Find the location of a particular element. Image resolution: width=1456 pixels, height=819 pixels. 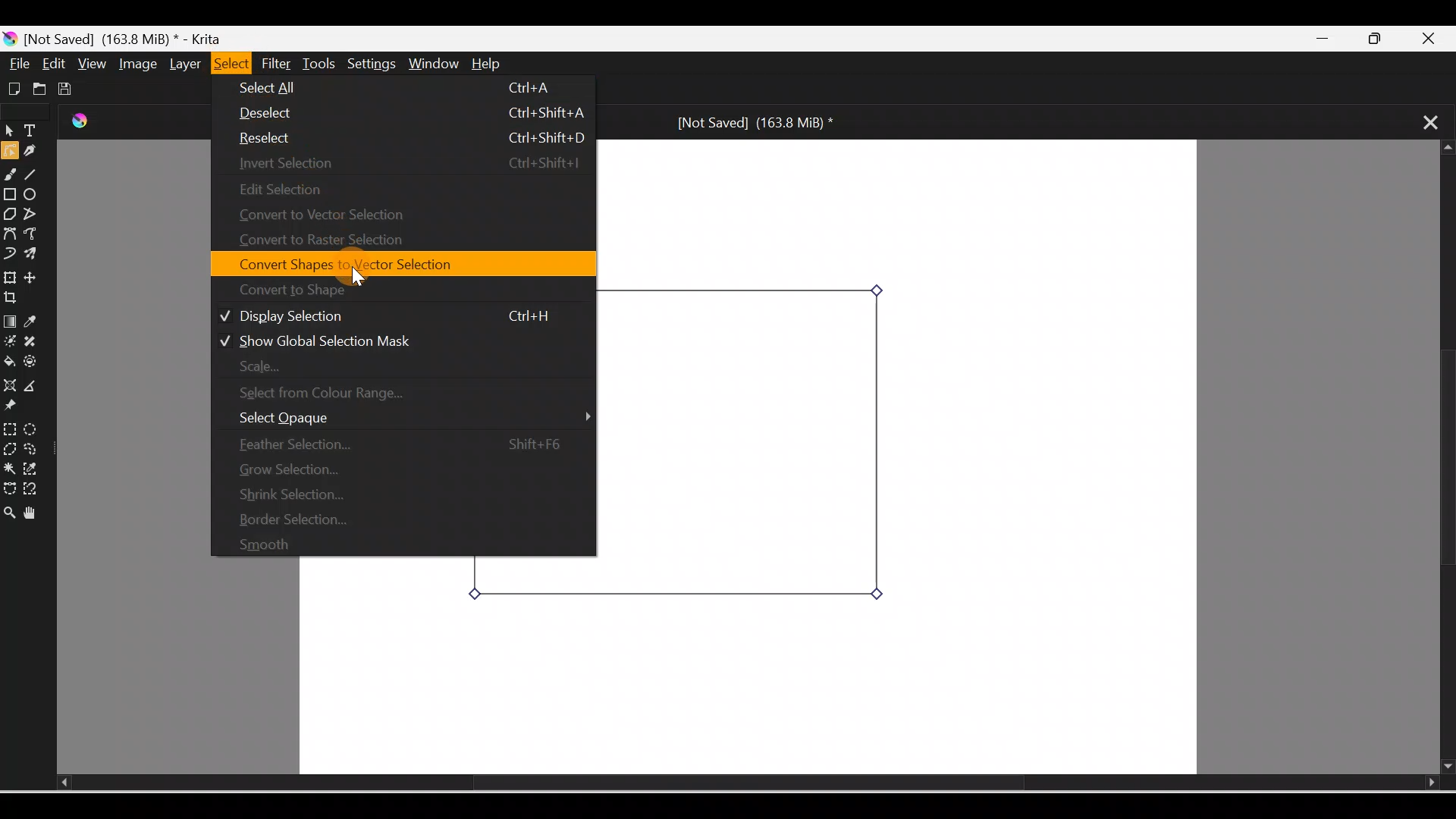

Assistant tool is located at coordinates (9, 385).